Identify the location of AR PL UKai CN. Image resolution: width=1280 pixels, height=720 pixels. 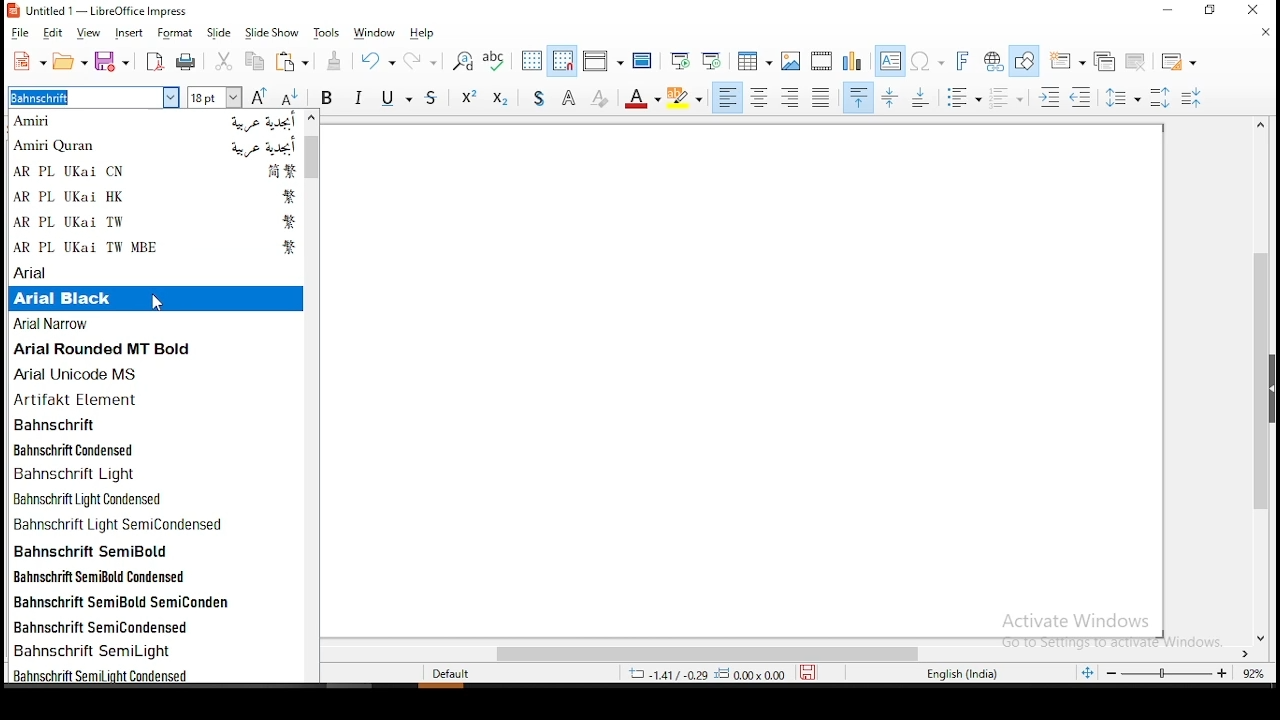
(160, 171).